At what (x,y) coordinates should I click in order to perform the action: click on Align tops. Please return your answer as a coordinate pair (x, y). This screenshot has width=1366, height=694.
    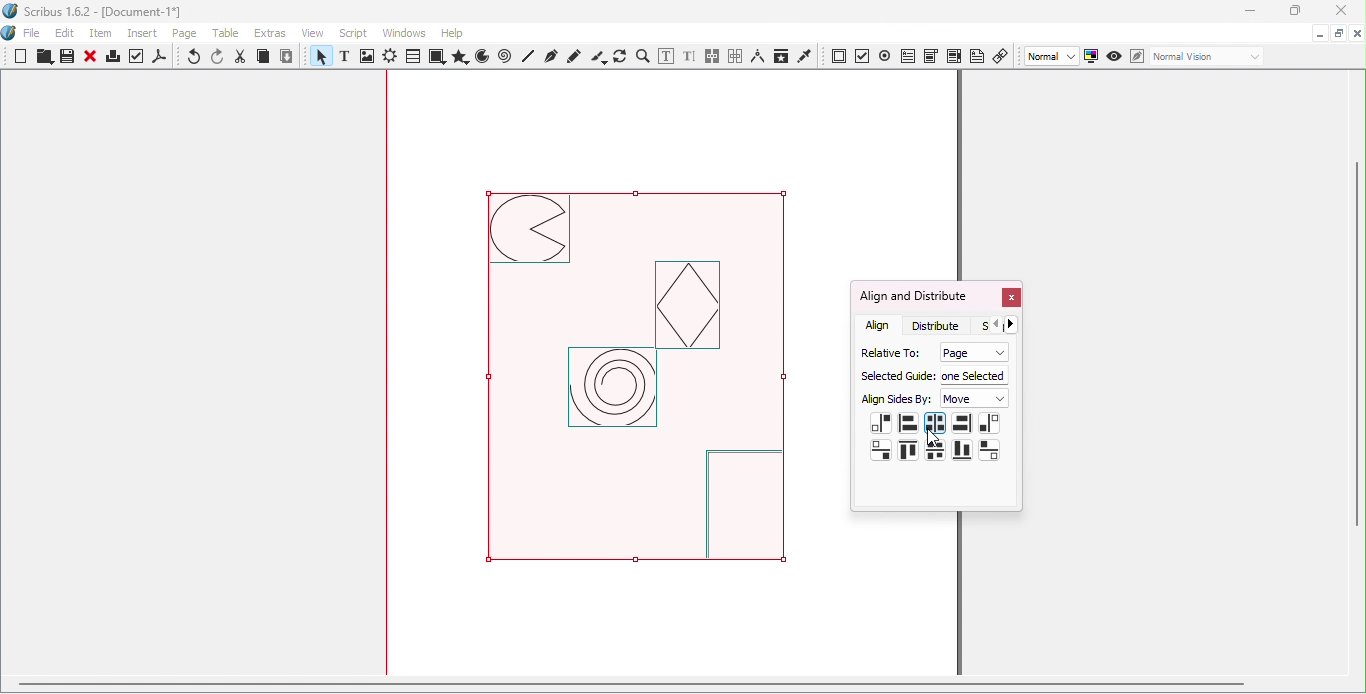
    Looking at the image, I should click on (908, 452).